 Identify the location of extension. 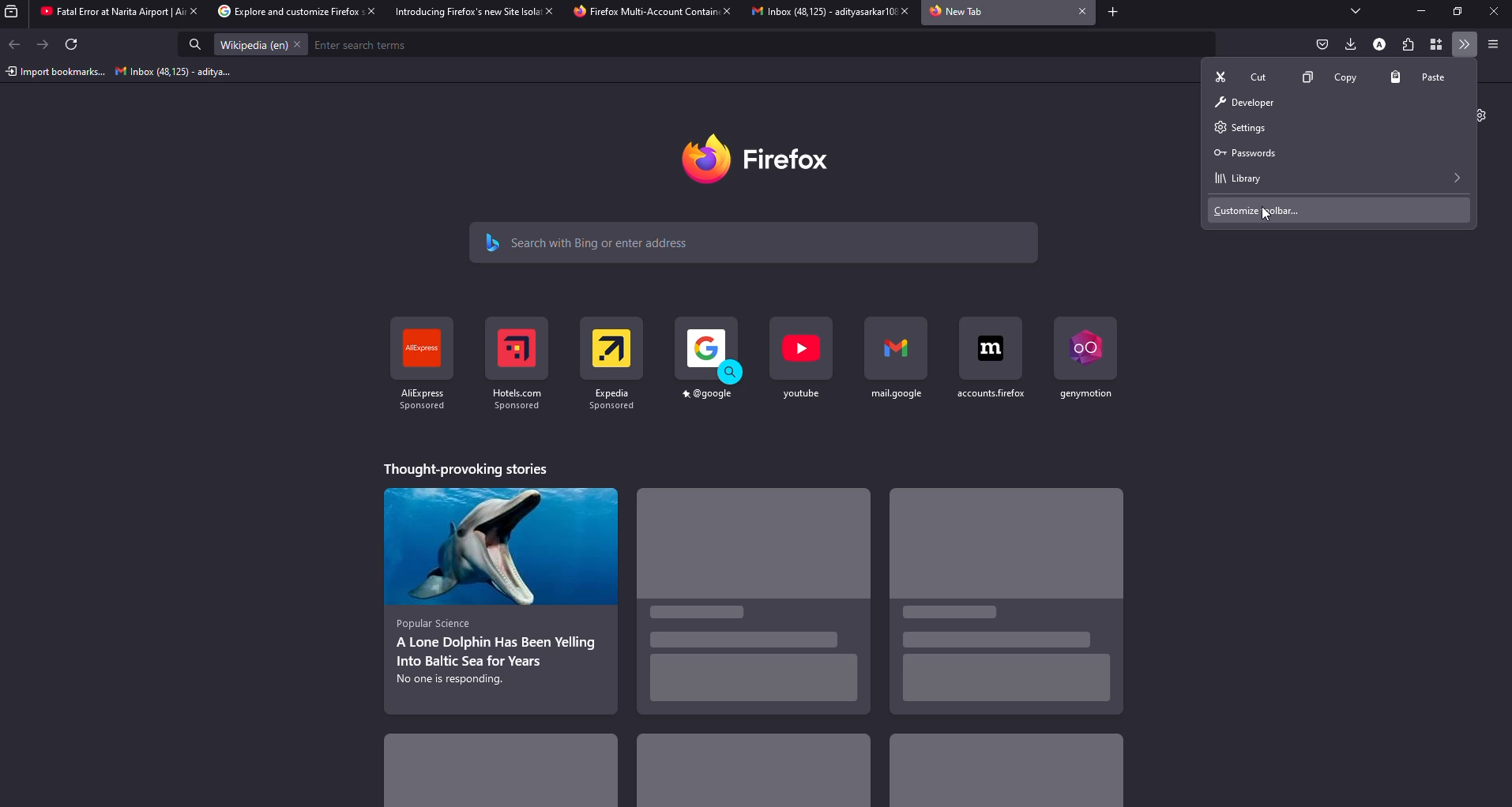
(1409, 44).